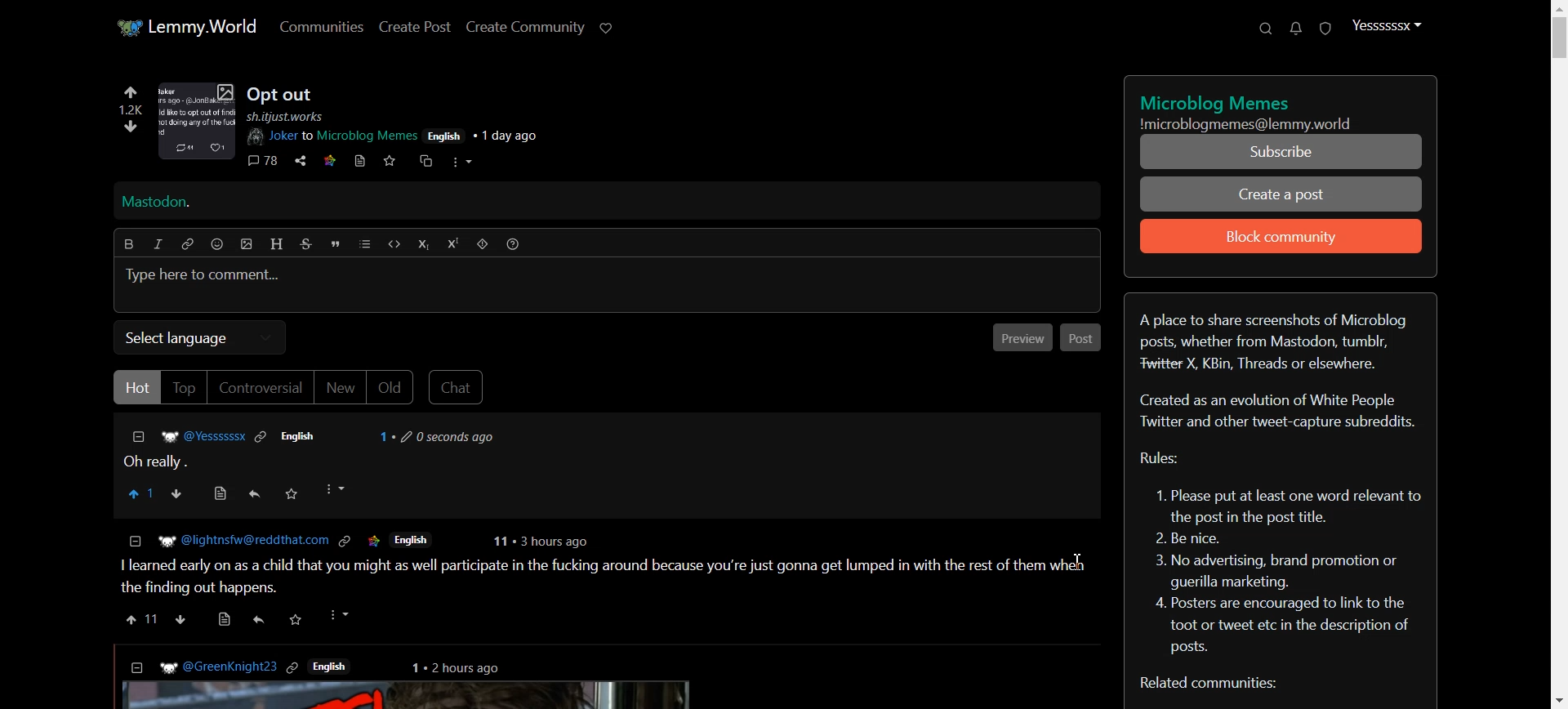 The image size is (1568, 709). I want to click on more, so click(341, 616).